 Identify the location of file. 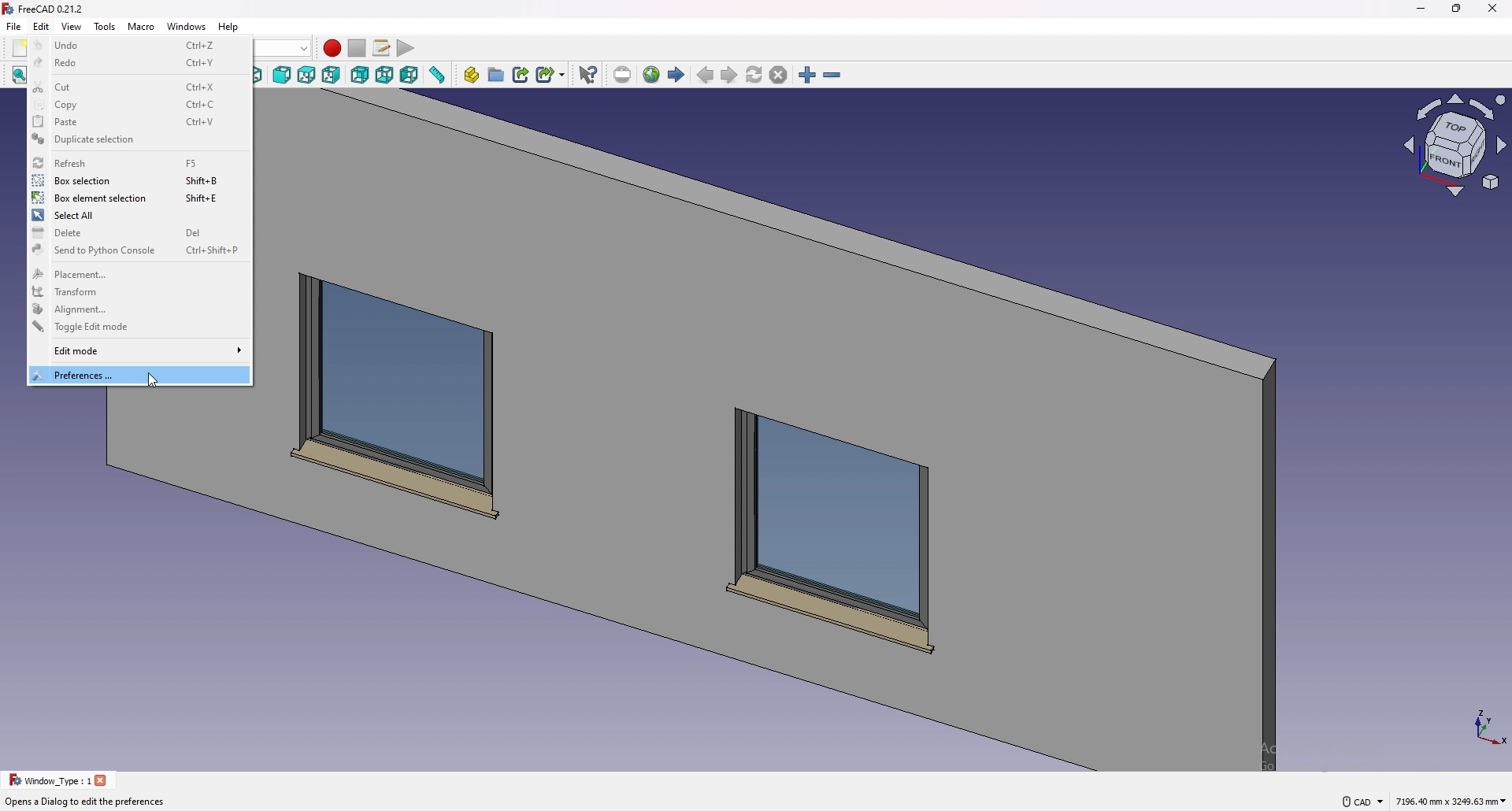
(14, 27).